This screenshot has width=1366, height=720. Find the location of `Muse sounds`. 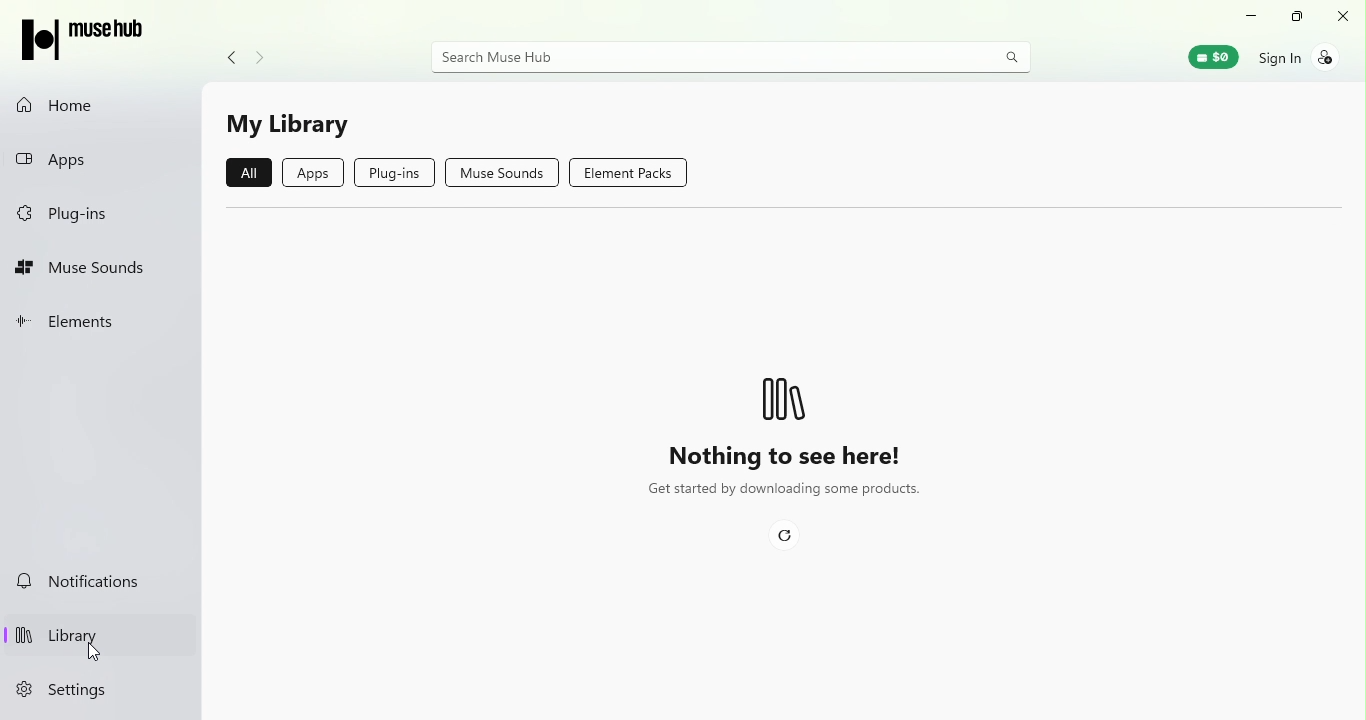

Muse sounds is located at coordinates (102, 271).